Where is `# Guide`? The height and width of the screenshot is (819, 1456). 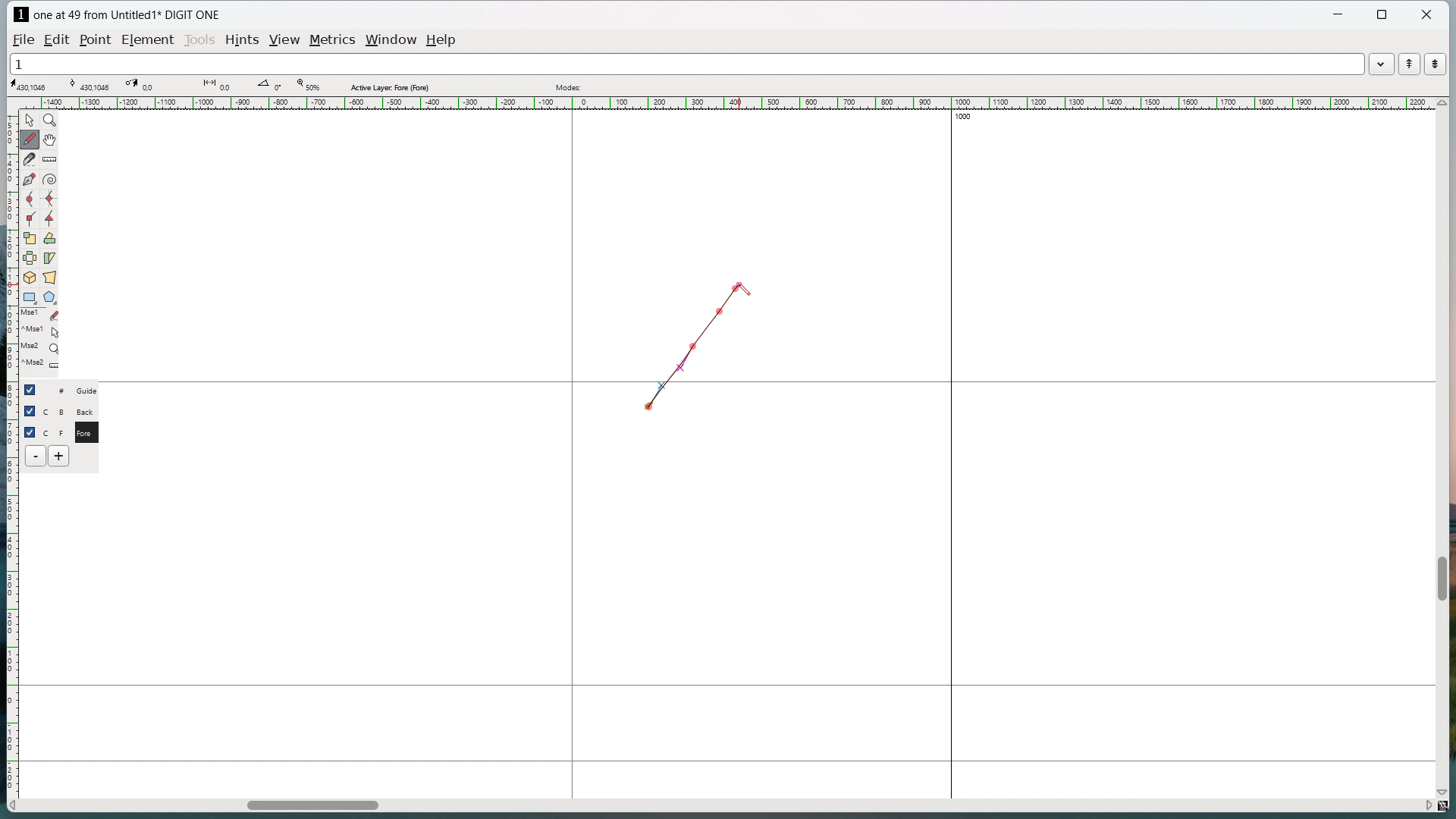 # Guide is located at coordinates (72, 390).